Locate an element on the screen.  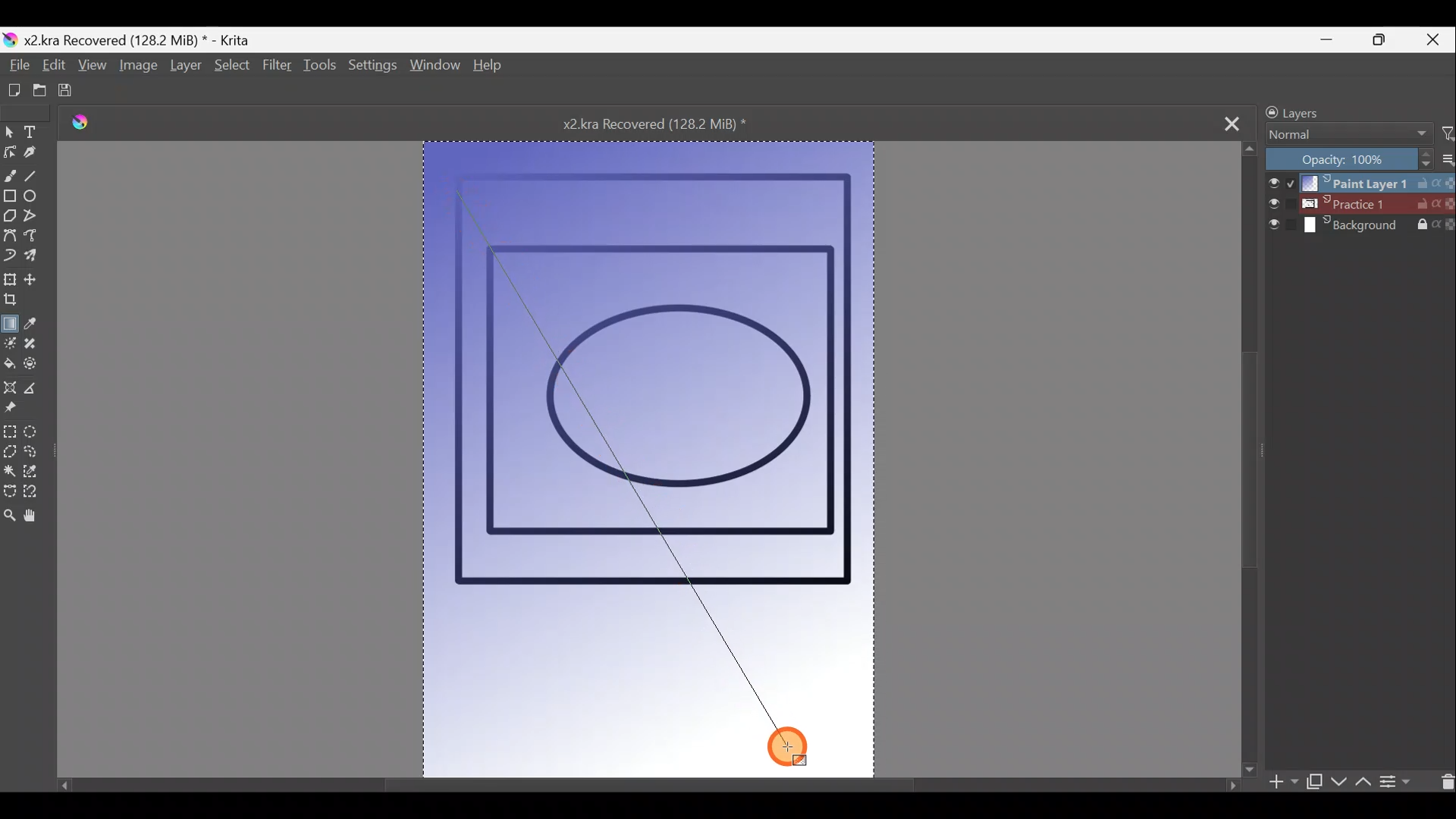
View/change layer properties is located at coordinates (1402, 780).